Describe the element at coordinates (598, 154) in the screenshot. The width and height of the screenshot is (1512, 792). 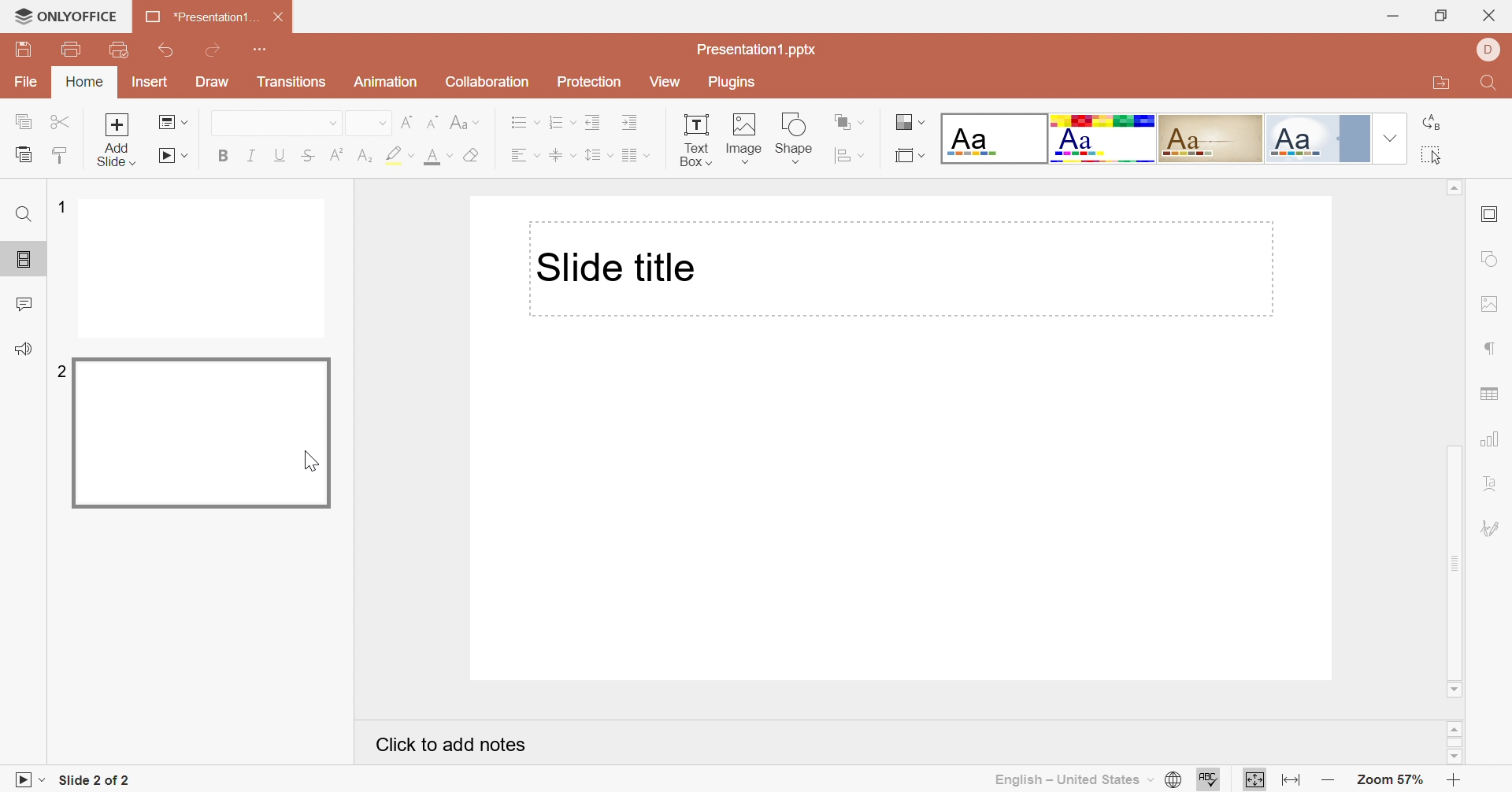
I see `Line spacing` at that location.